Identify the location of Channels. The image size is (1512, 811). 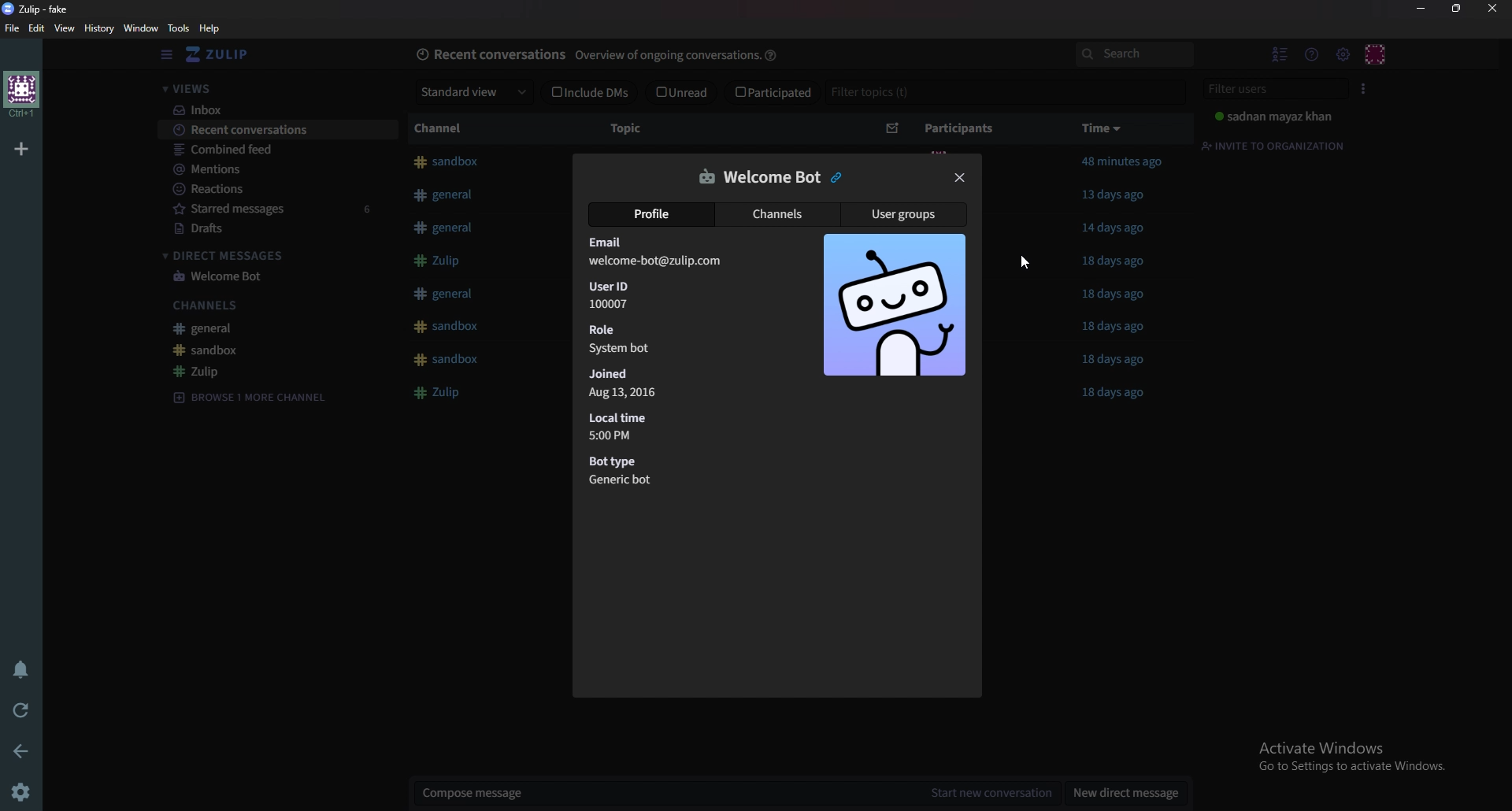
(275, 306).